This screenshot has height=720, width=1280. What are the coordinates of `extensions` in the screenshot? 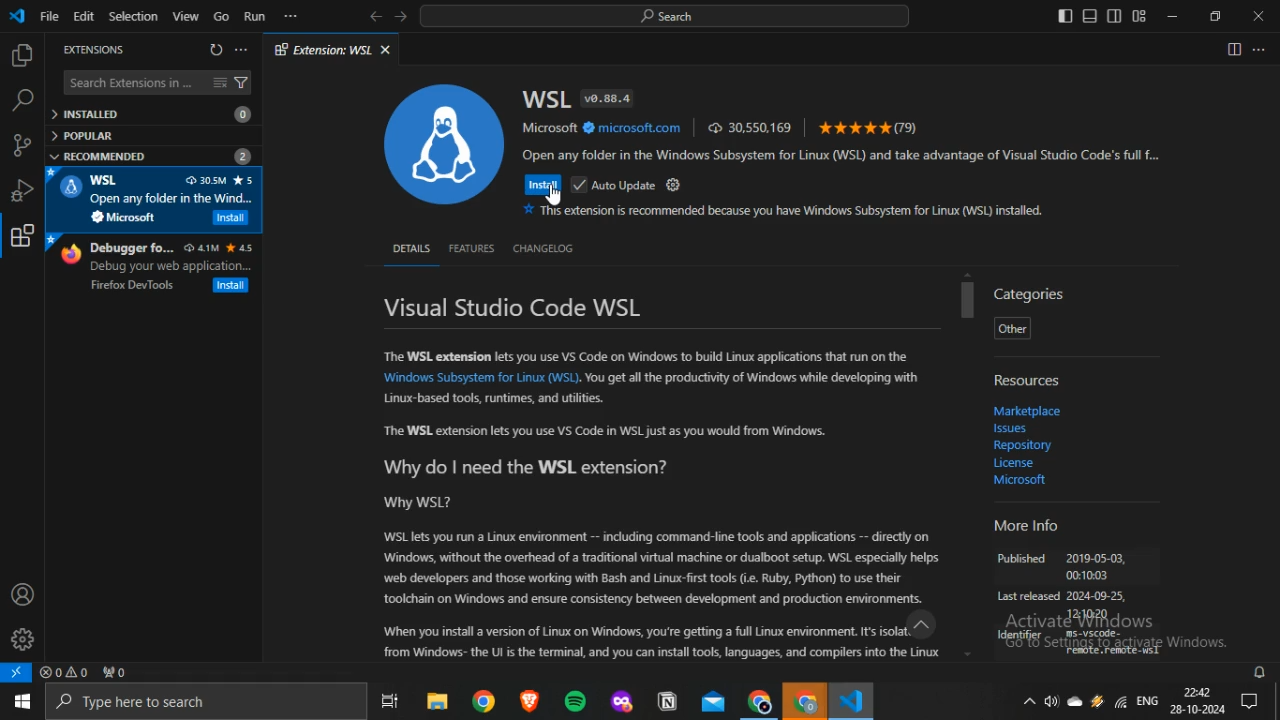 It's located at (22, 235).